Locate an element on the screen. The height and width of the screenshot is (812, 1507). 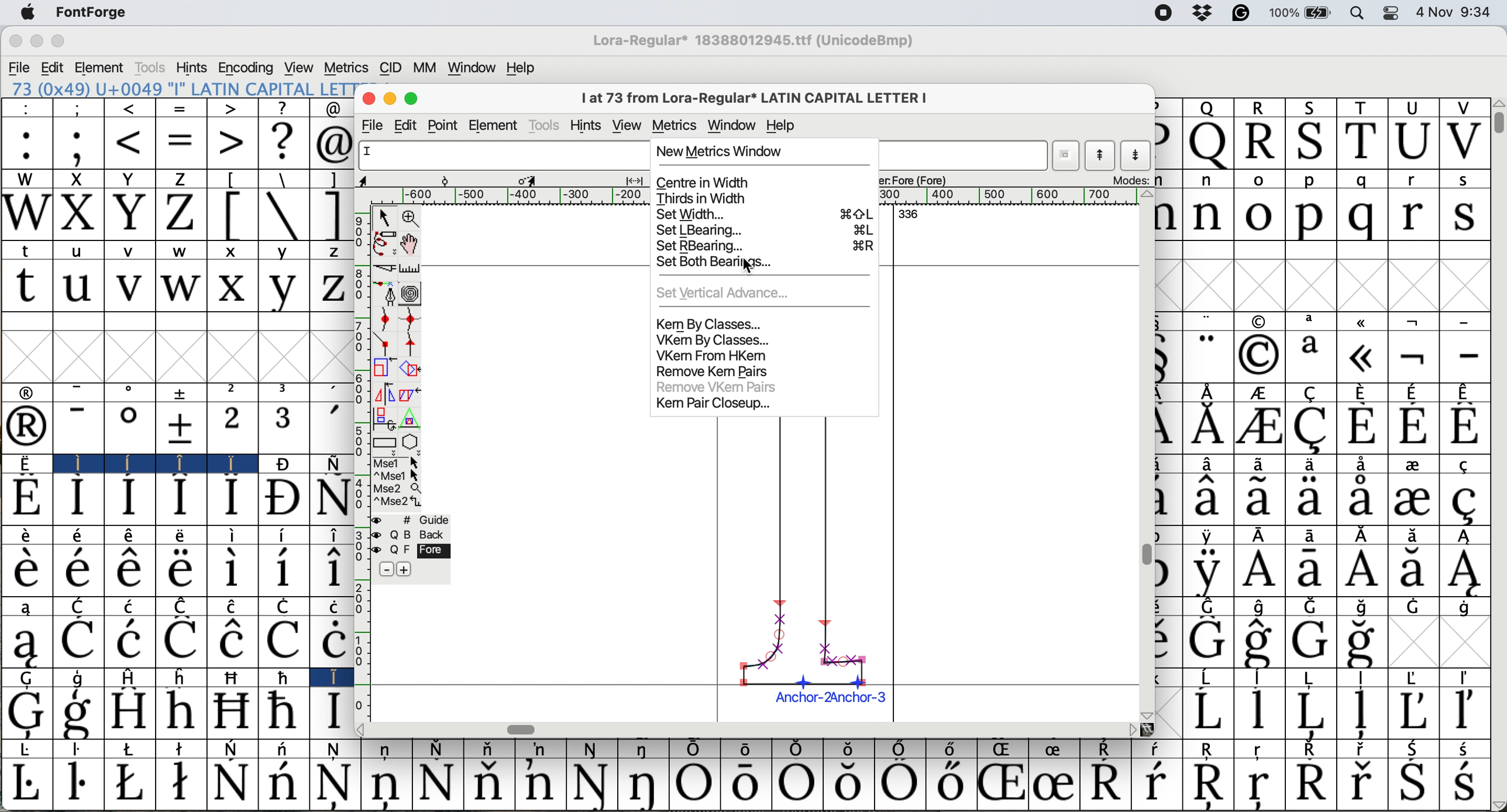
r is located at coordinates (1412, 215).